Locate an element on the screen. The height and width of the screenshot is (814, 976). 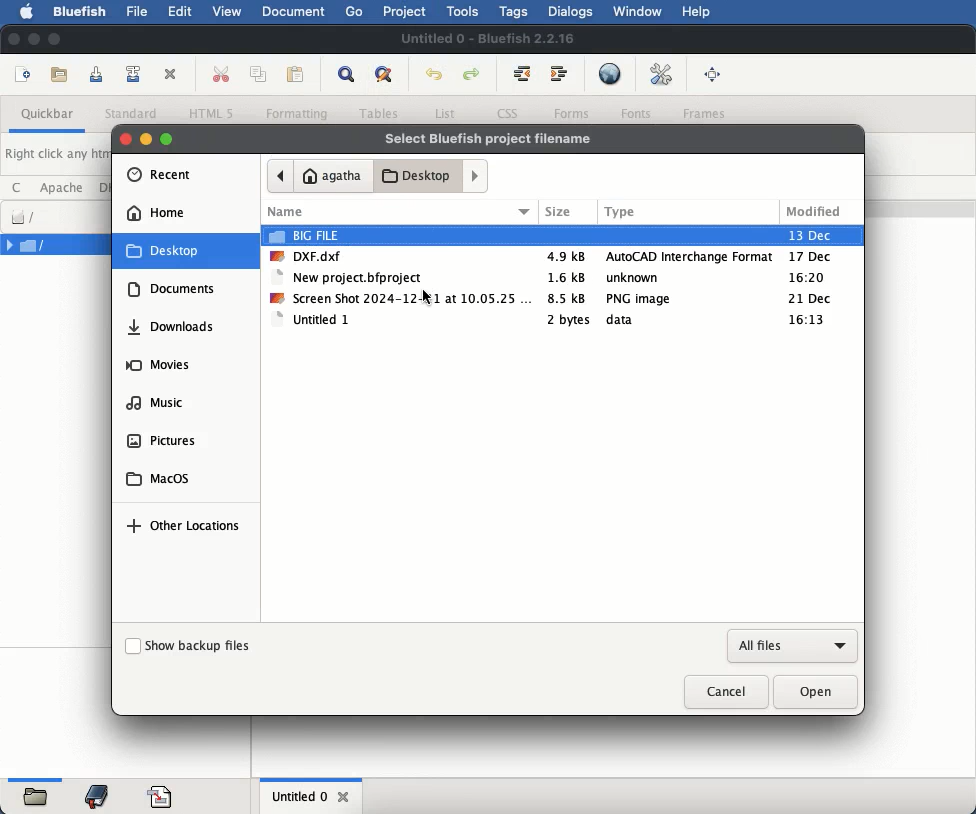
close is located at coordinates (349, 800).